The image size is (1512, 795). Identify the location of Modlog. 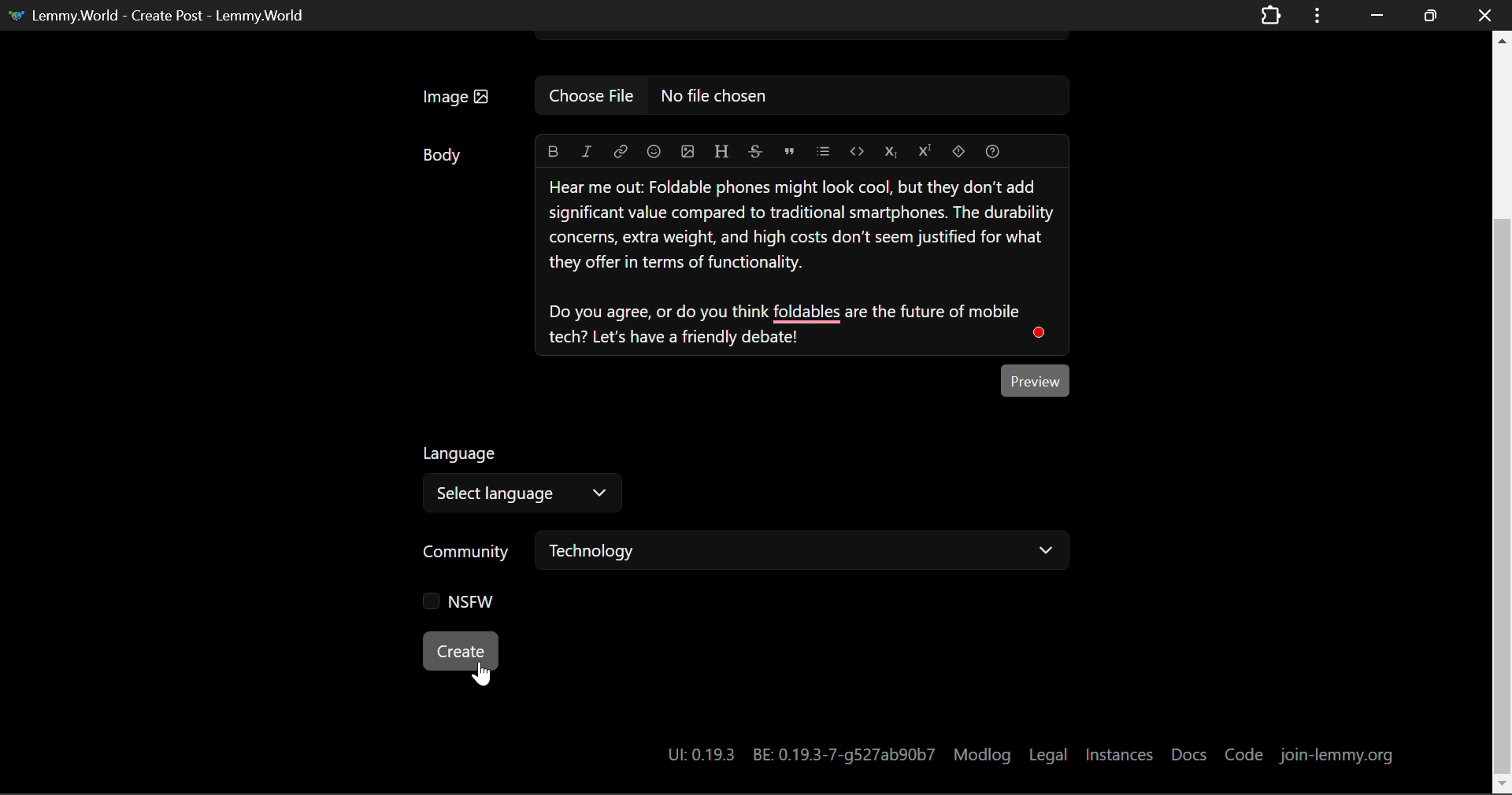
(982, 753).